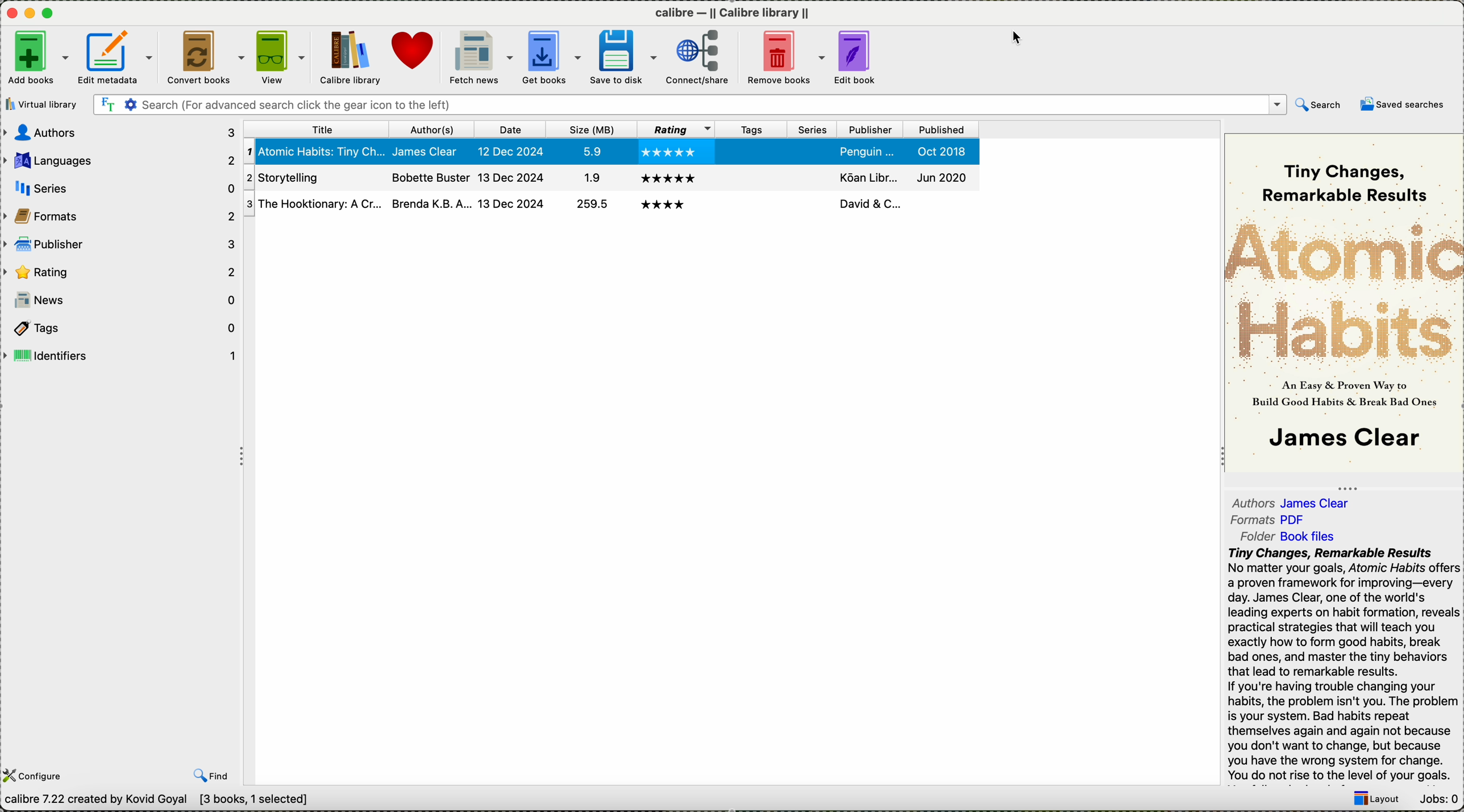 The image size is (1464, 812). I want to click on publisher, so click(119, 244).